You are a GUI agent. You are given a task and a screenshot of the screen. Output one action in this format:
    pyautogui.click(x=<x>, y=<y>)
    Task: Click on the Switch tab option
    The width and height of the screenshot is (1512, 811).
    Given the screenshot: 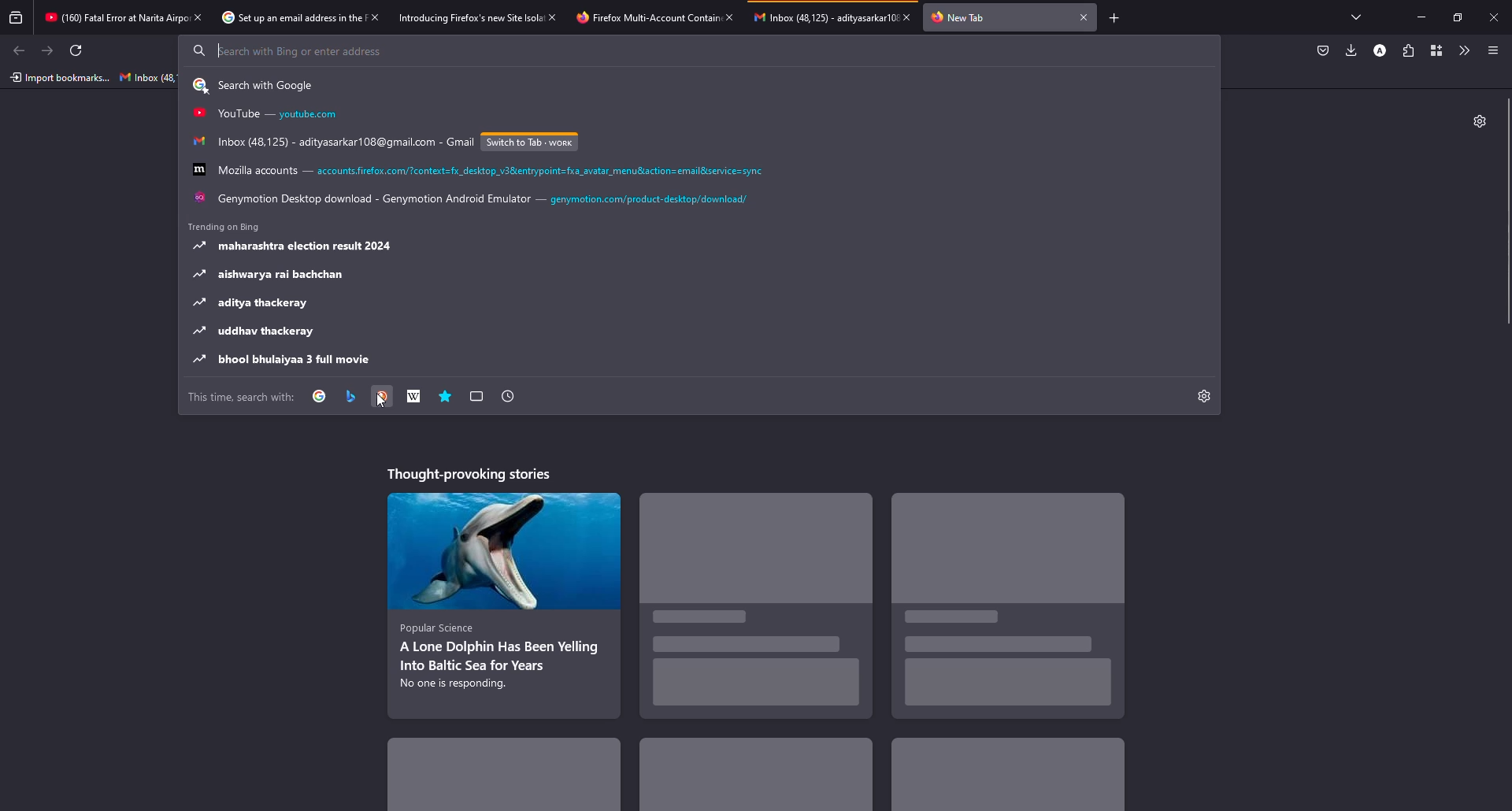 What is the action you would take?
    pyautogui.click(x=529, y=143)
    